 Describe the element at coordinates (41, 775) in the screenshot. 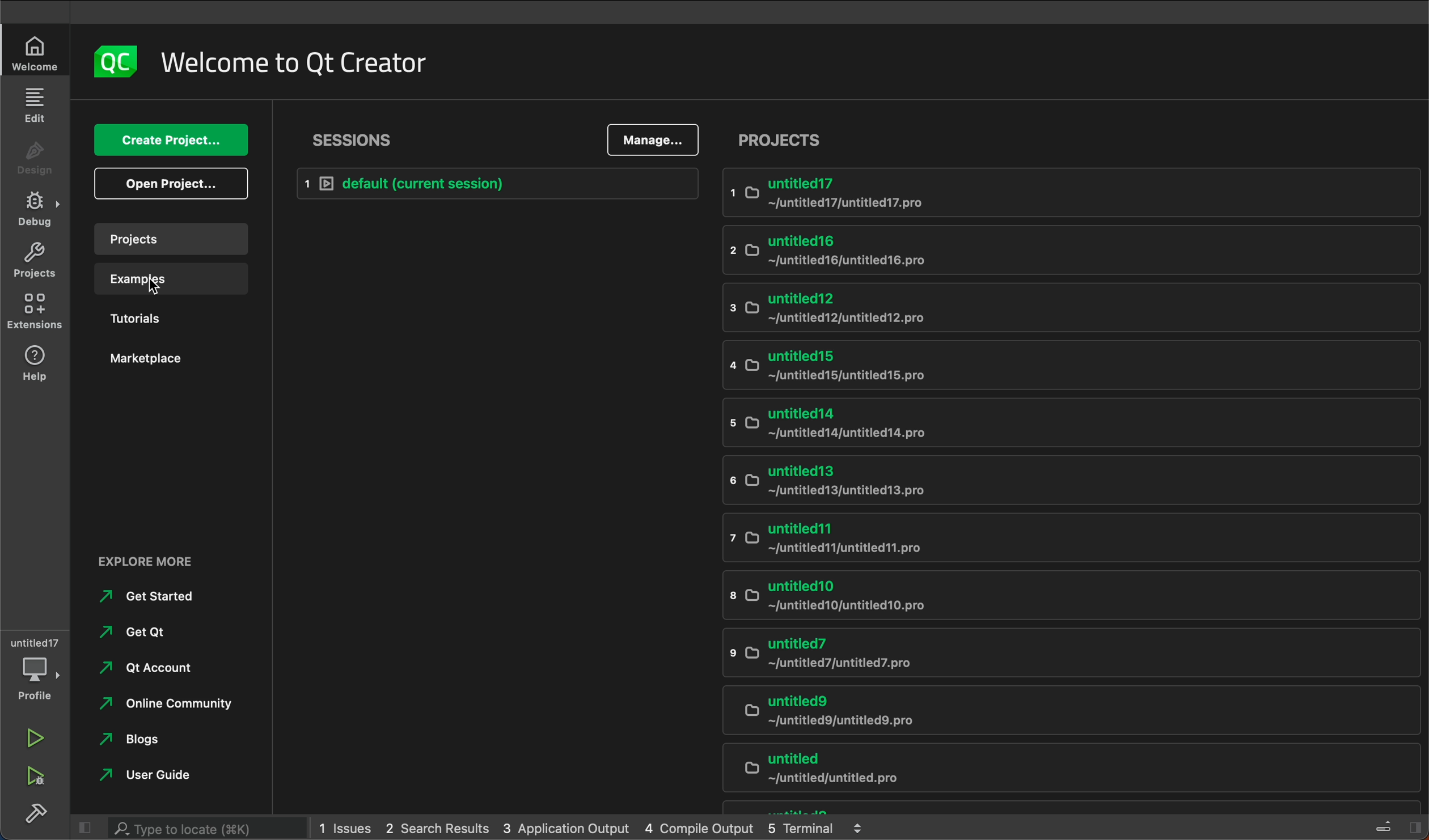

I see `run and debug` at that location.